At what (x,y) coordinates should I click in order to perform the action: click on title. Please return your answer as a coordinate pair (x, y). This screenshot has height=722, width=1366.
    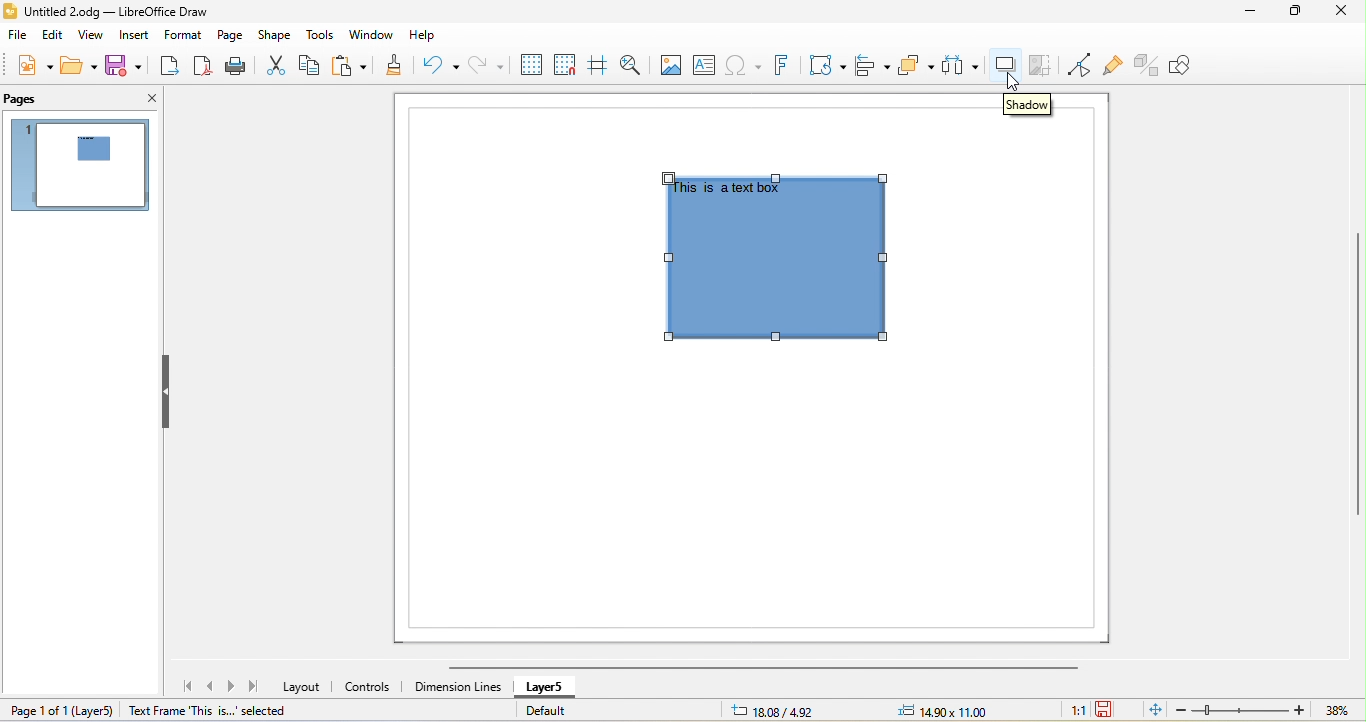
    Looking at the image, I should click on (115, 12).